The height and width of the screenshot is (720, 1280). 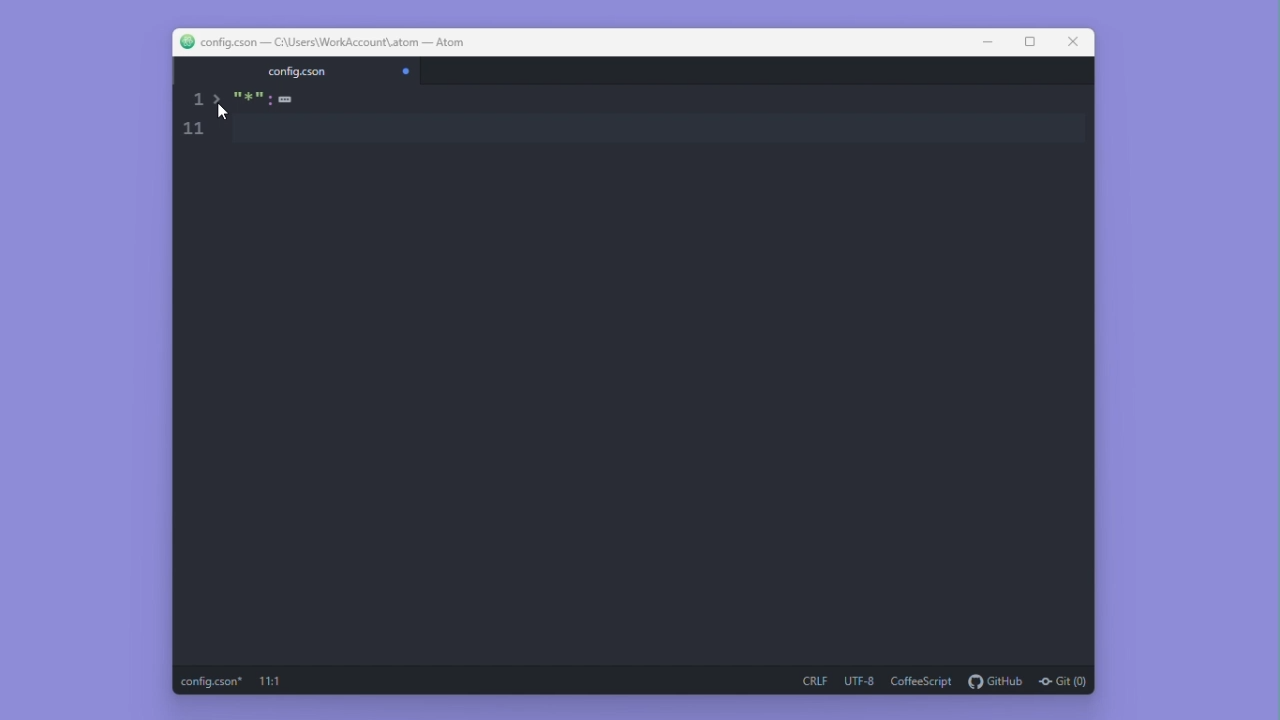 What do you see at coordinates (182, 42) in the screenshot?
I see `logo` at bounding box center [182, 42].